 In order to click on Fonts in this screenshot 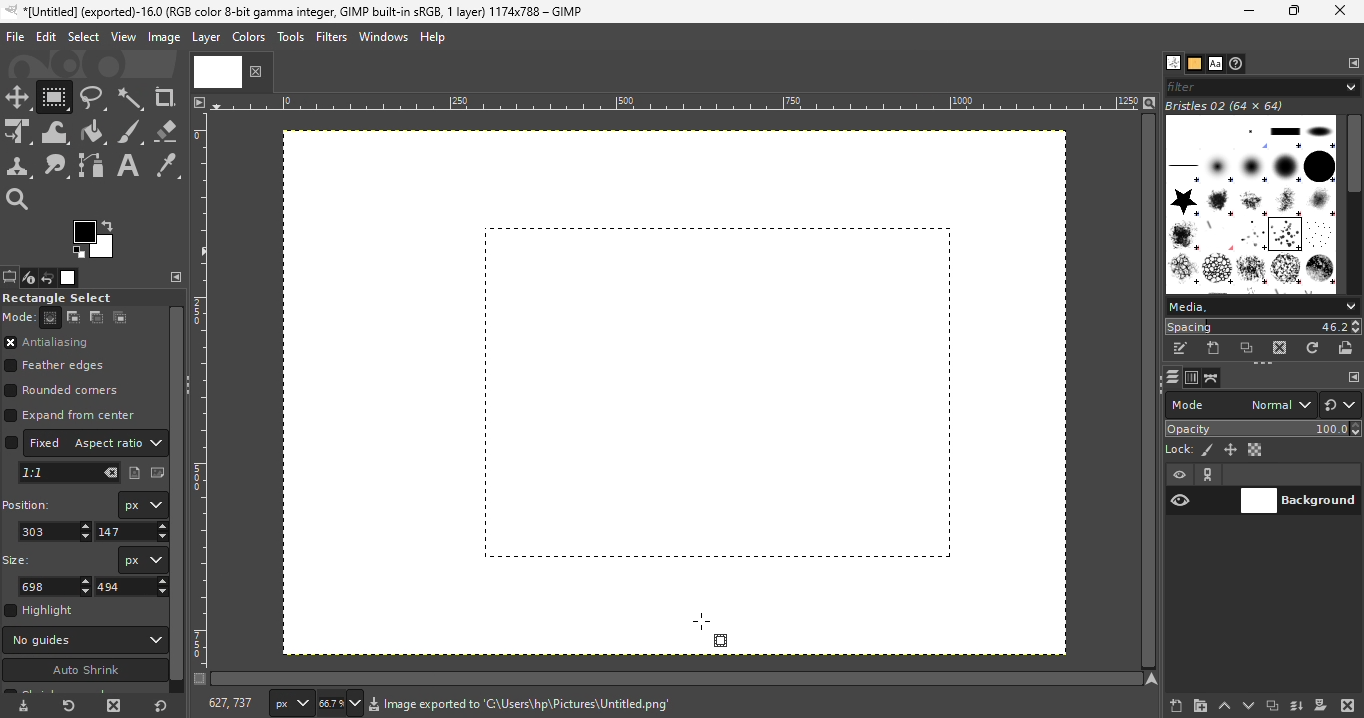, I will do `click(1215, 64)`.